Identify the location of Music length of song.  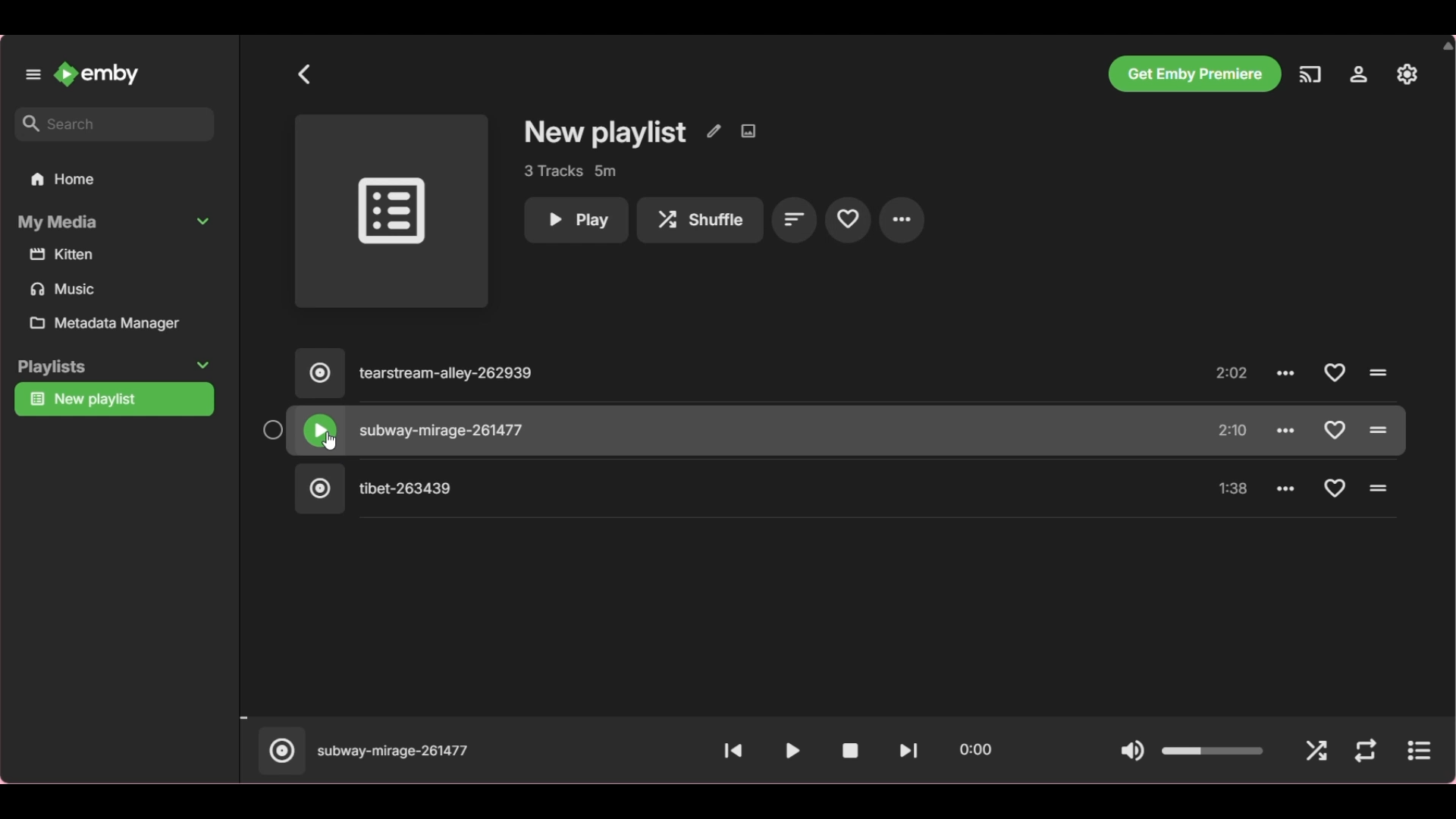
(1234, 490).